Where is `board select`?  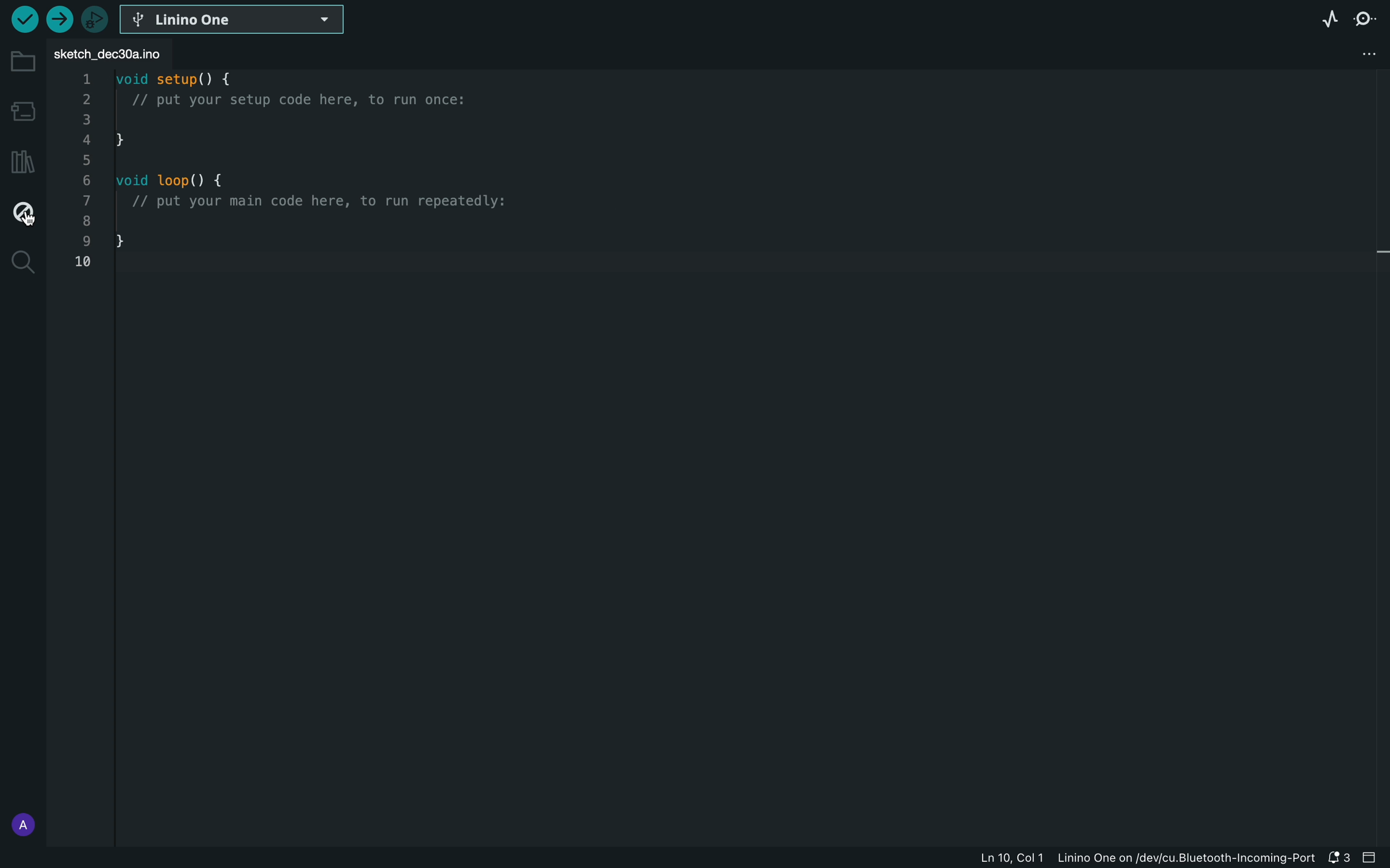 board select is located at coordinates (235, 19).